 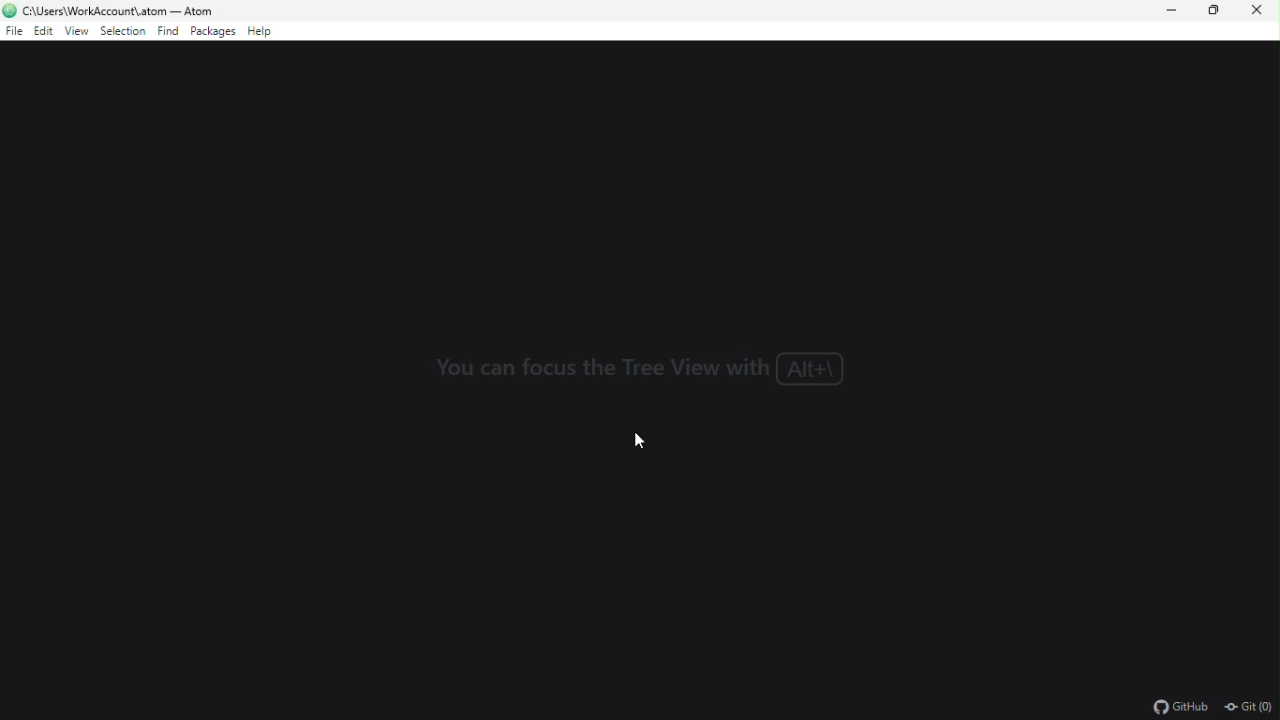 I want to click on git, so click(x=1246, y=704).